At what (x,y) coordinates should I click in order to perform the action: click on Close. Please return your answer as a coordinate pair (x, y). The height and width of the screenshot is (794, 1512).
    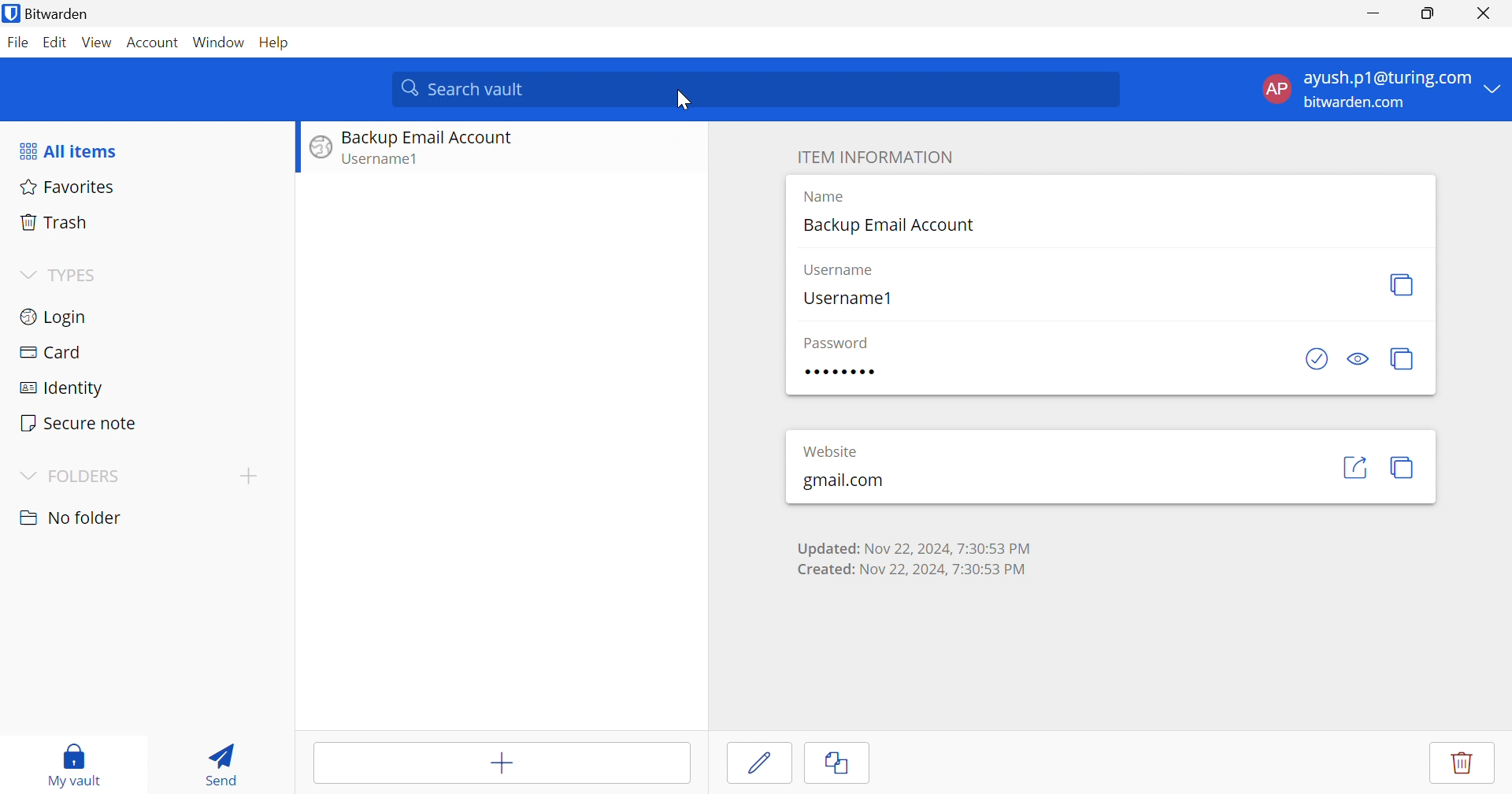
    Looking at the image, I should click on (1484, 13).